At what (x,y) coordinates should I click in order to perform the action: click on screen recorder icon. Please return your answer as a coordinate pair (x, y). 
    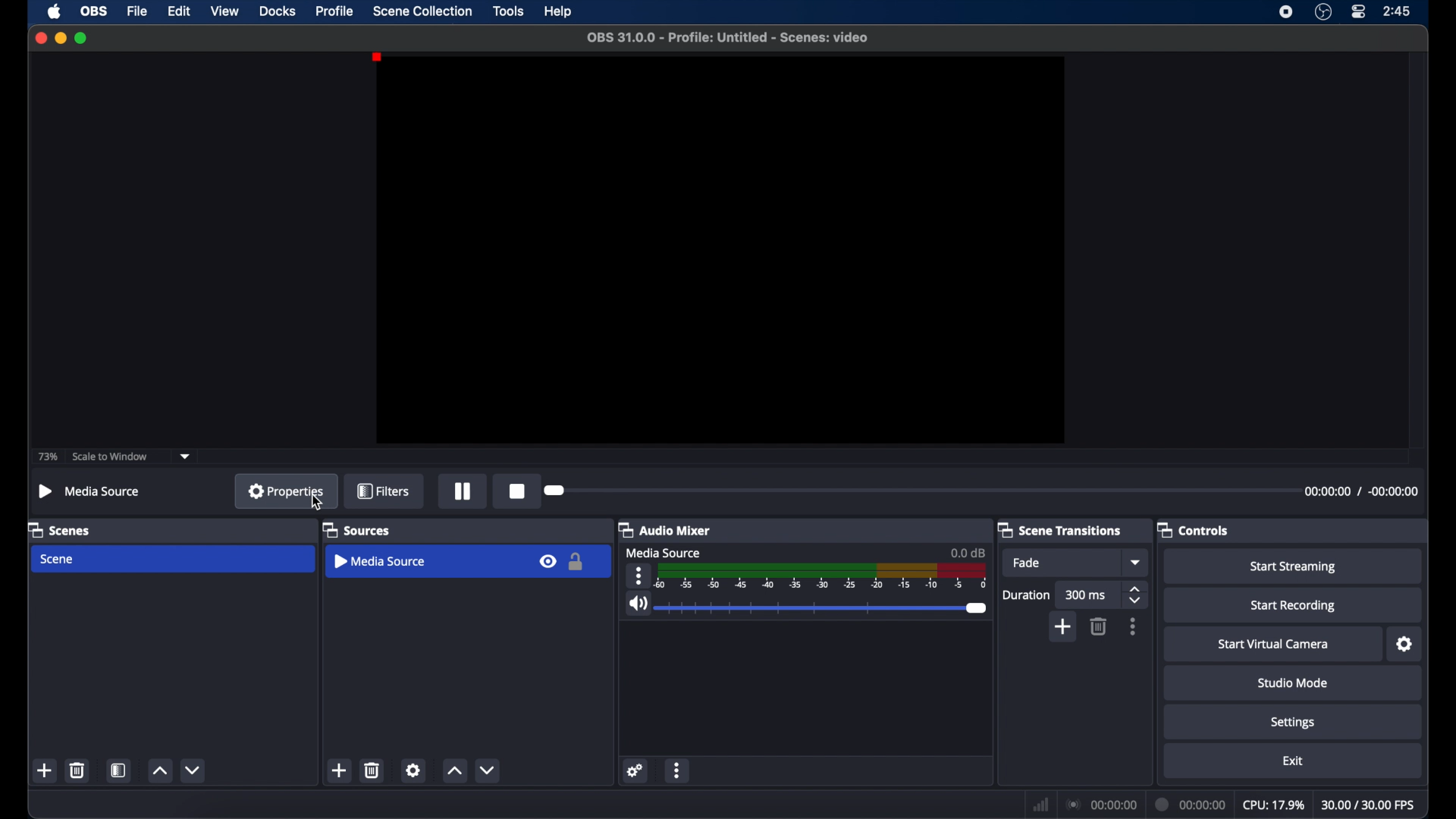
    Looking at the image, I should click on (1286, 11).